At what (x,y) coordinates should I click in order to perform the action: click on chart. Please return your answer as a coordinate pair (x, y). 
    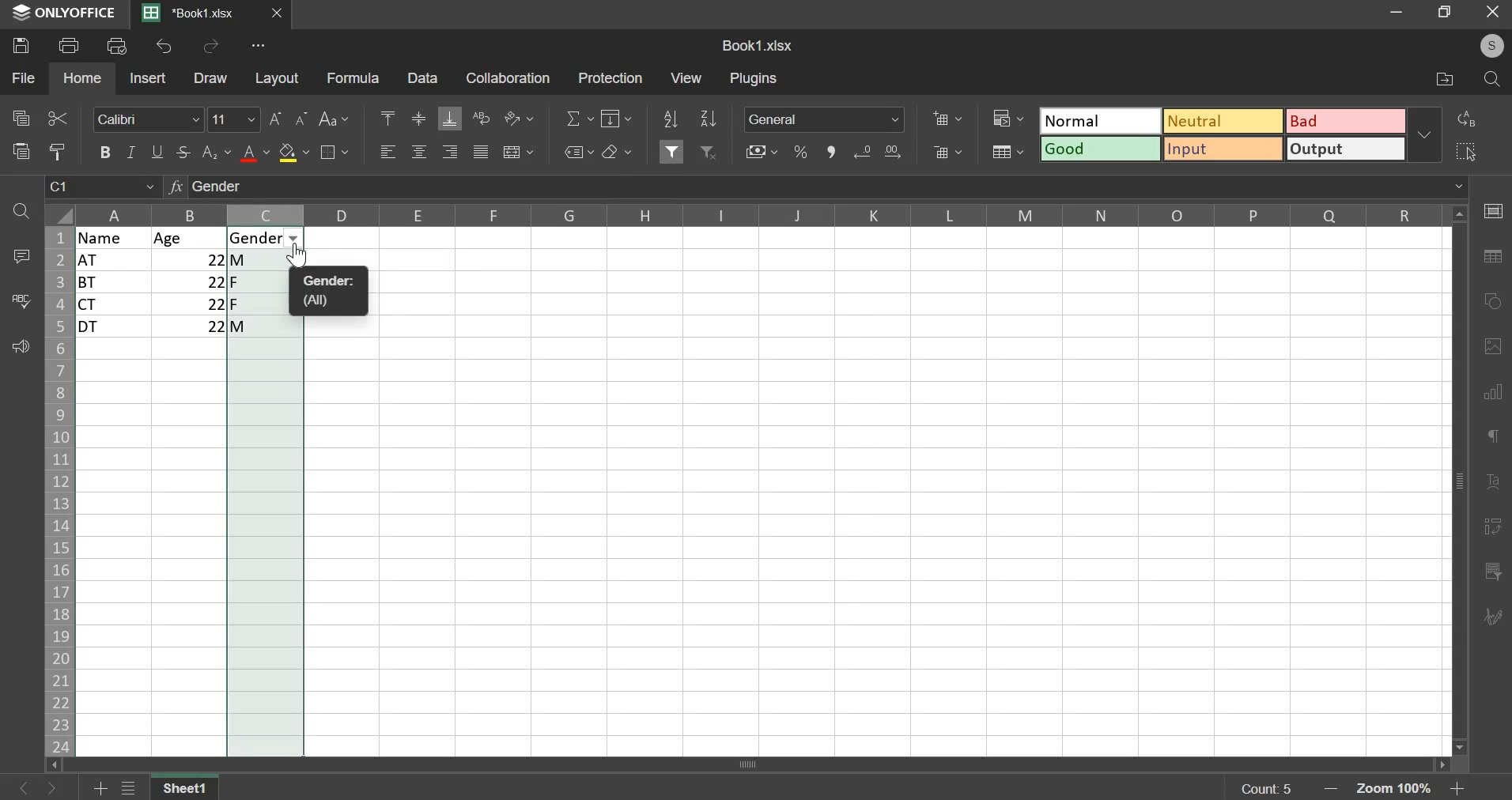
    Looking at the image, I should click on (1495, 399).